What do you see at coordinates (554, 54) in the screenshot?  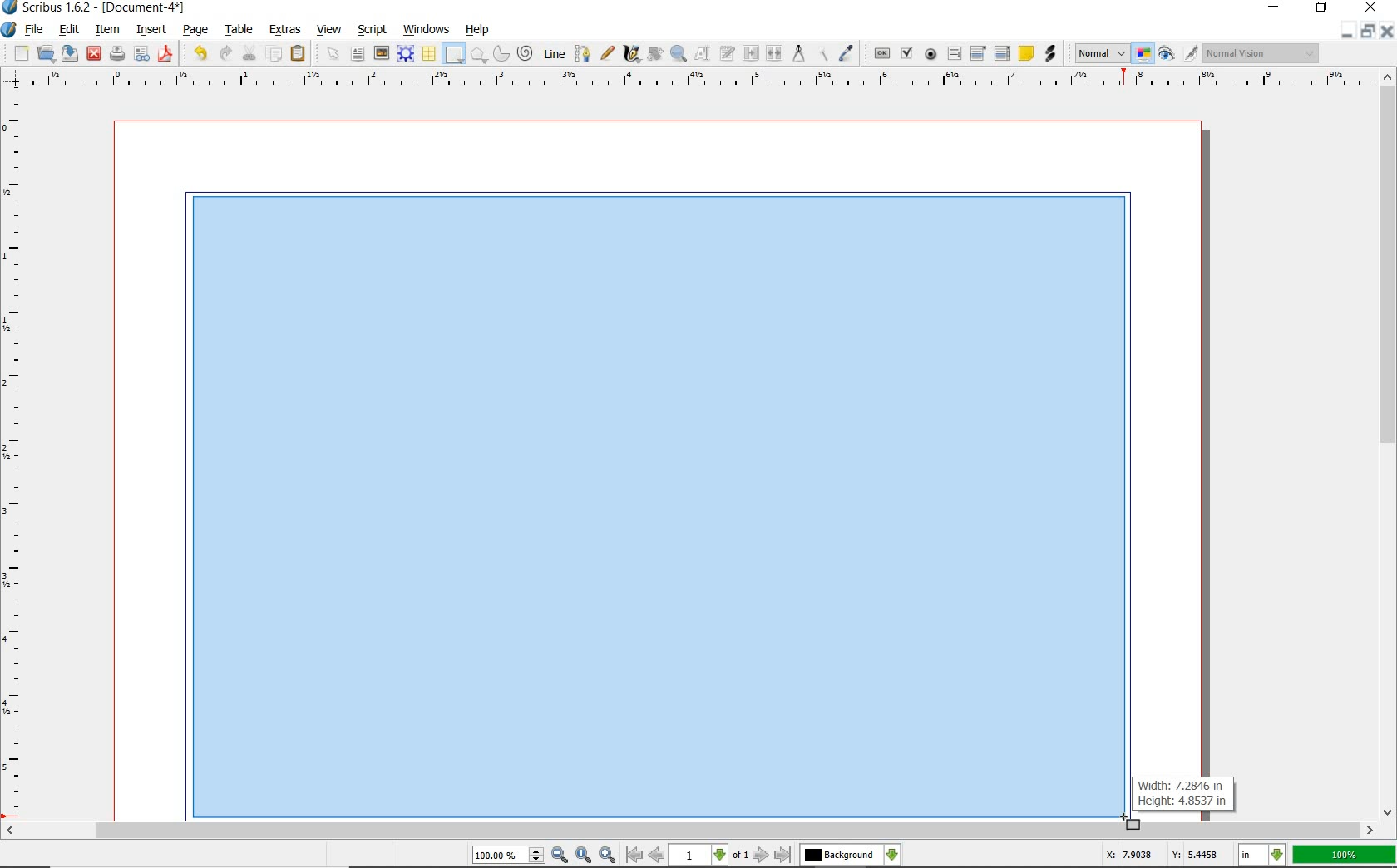 I see `line` at bounding box center [554, 54].